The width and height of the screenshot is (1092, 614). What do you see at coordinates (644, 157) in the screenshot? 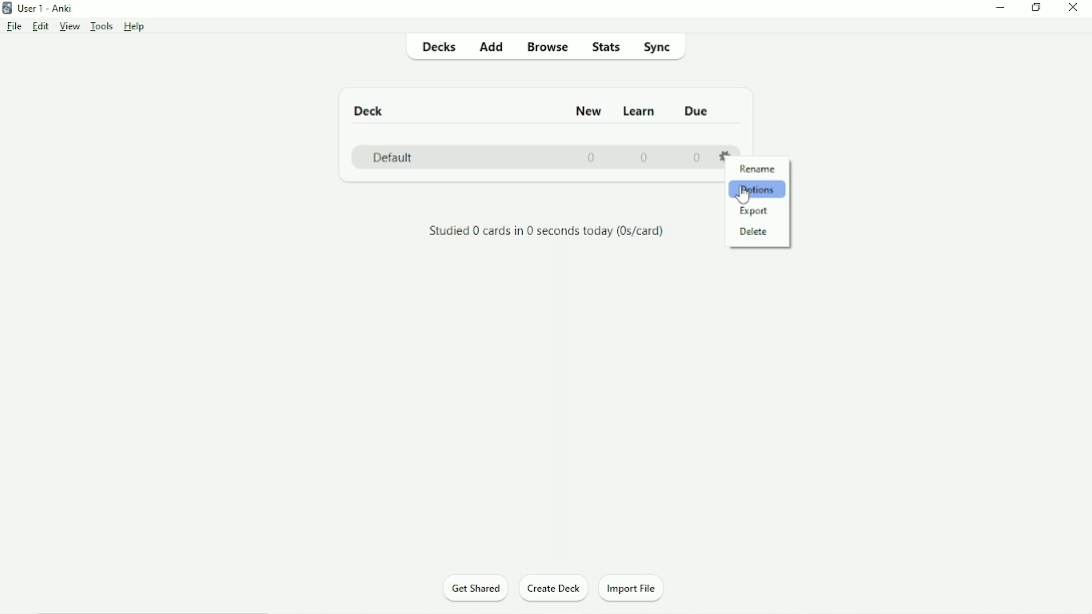
I see `0` at bounding box center [644, 157].